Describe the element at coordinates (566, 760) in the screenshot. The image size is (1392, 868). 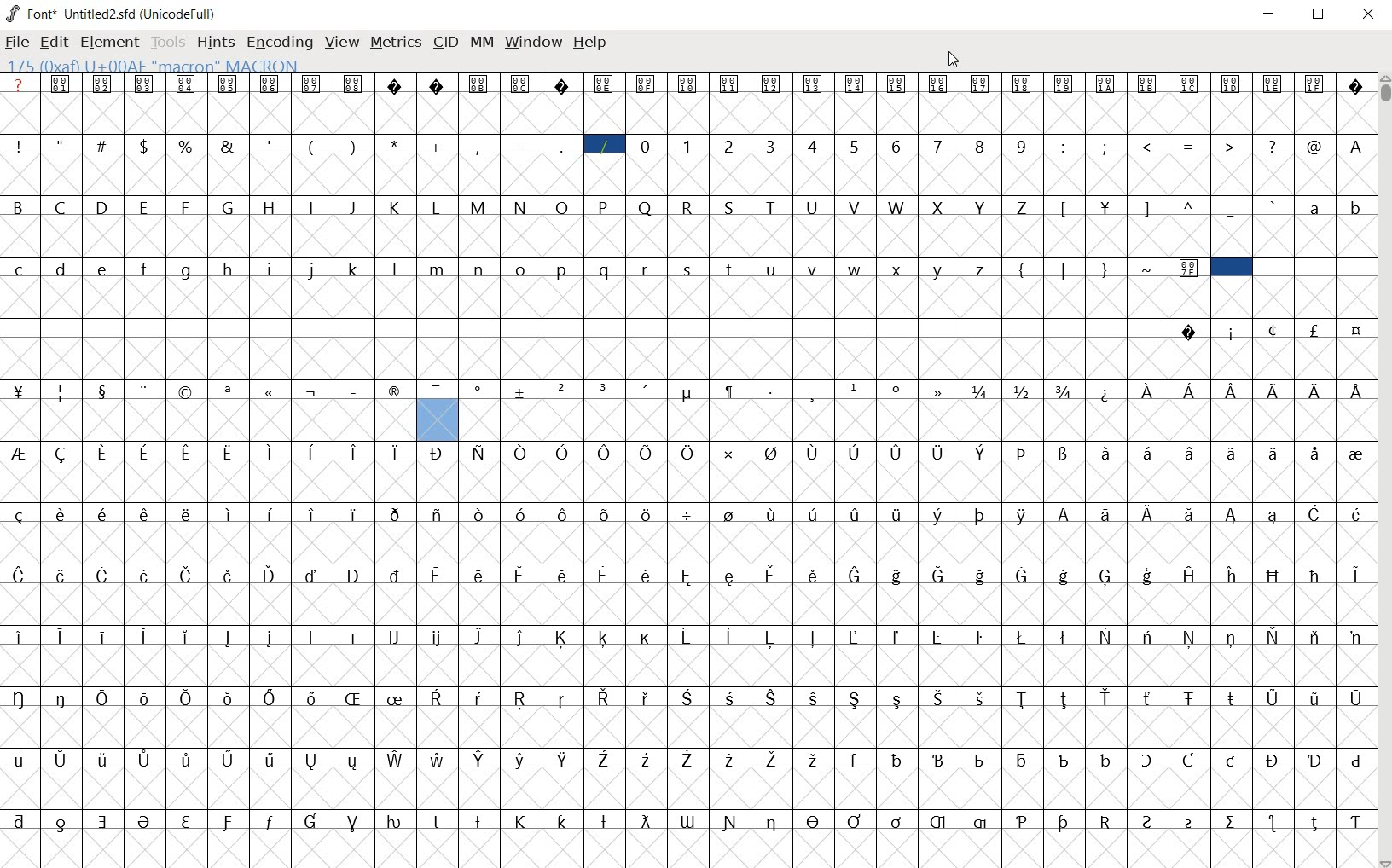
I see `Symbol` at that location.